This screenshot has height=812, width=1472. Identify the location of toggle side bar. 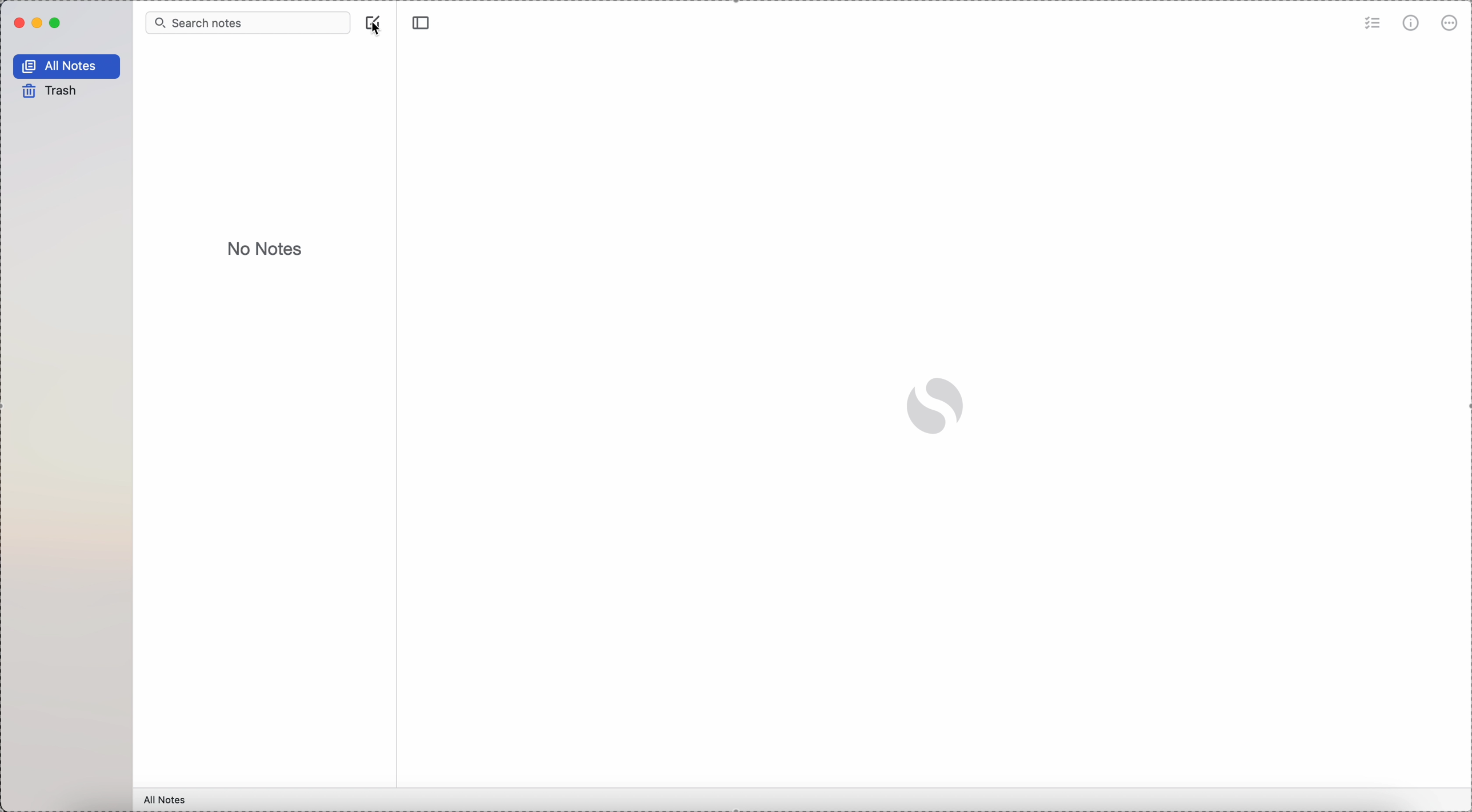
(422, 23).